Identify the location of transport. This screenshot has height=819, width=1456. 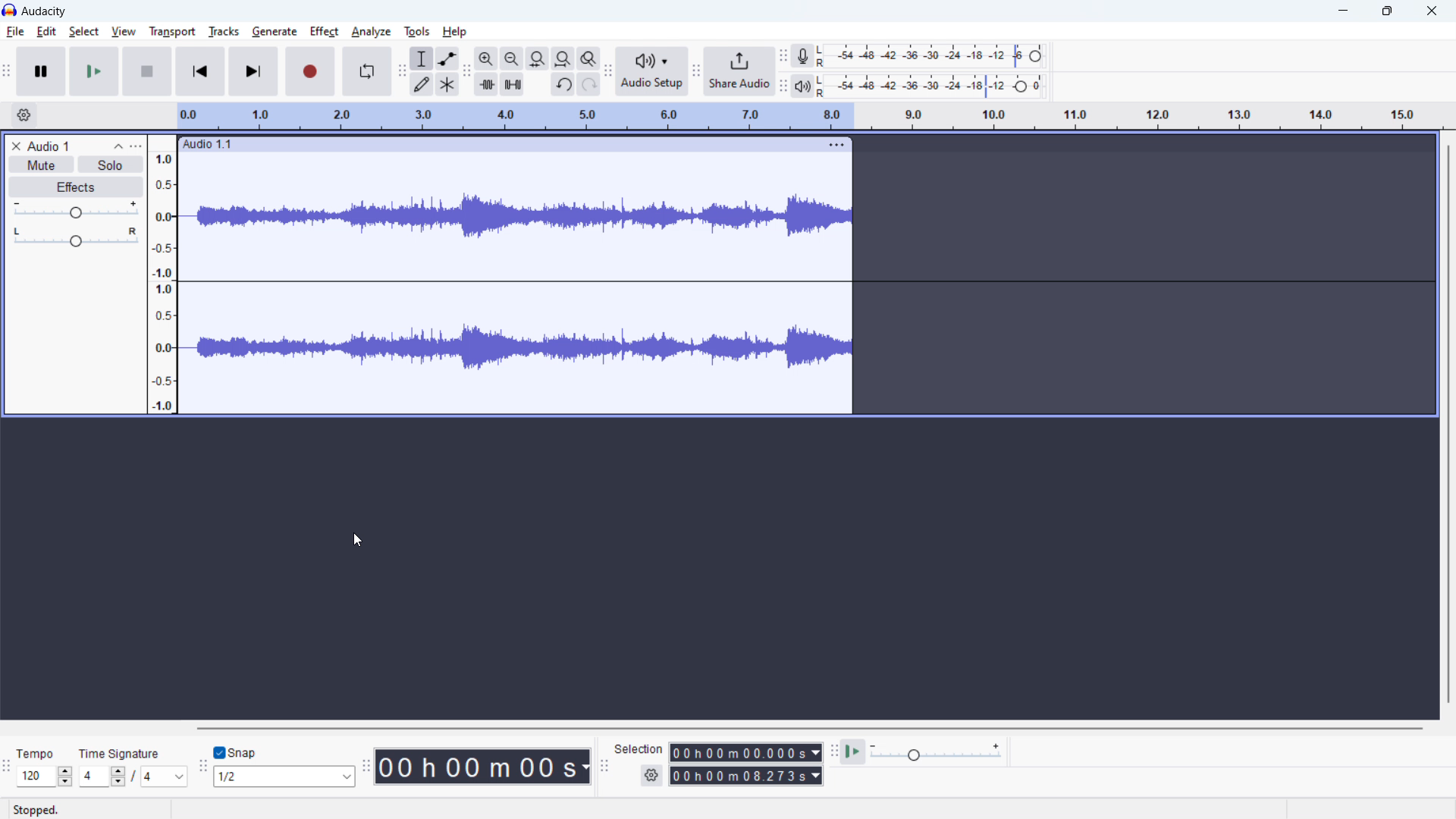
(172, 31).